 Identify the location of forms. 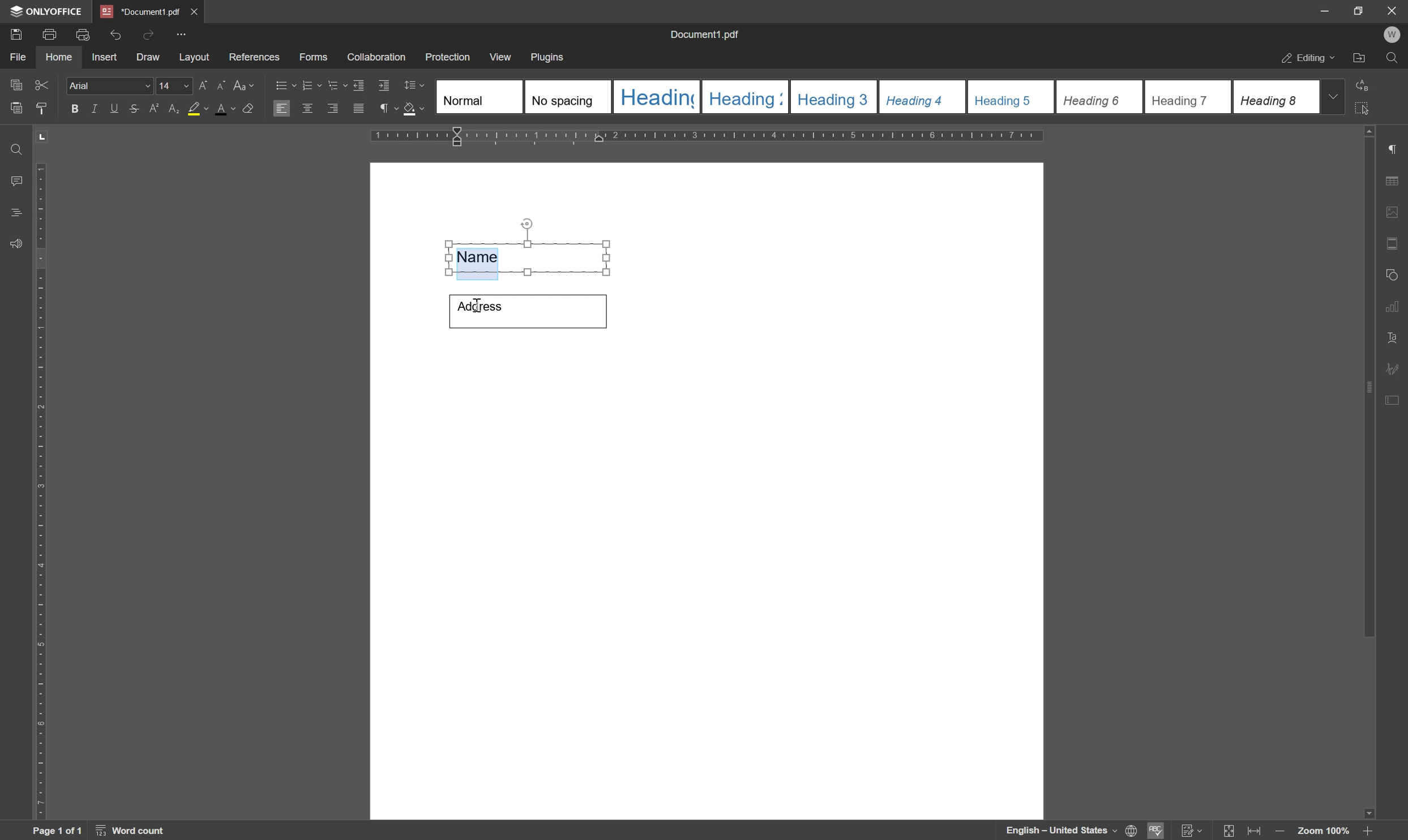
(314, 58).